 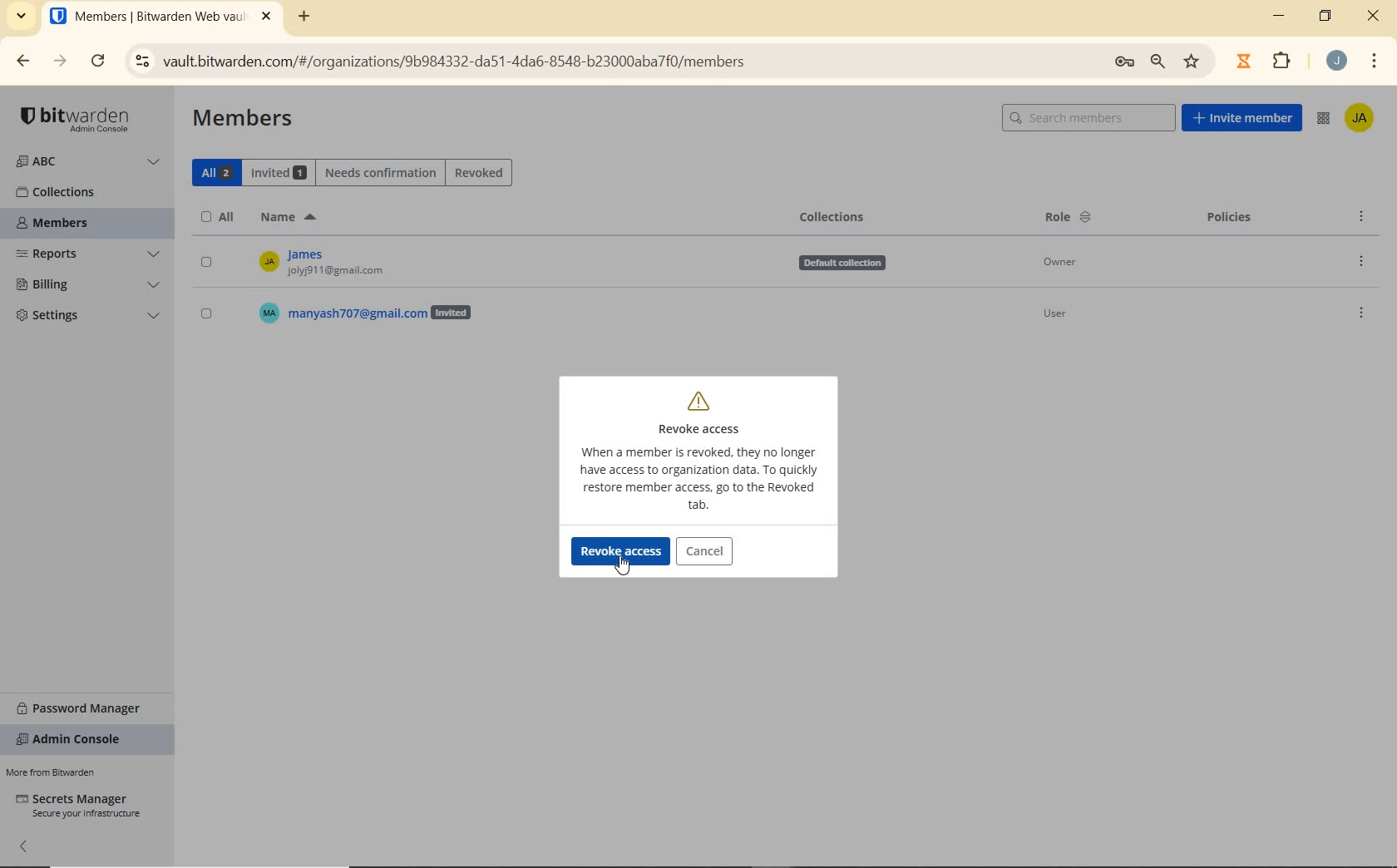 What do you see at coordinates (287, 218) in the screenshot?
I see `NAME` at bounding box center [287, 218].